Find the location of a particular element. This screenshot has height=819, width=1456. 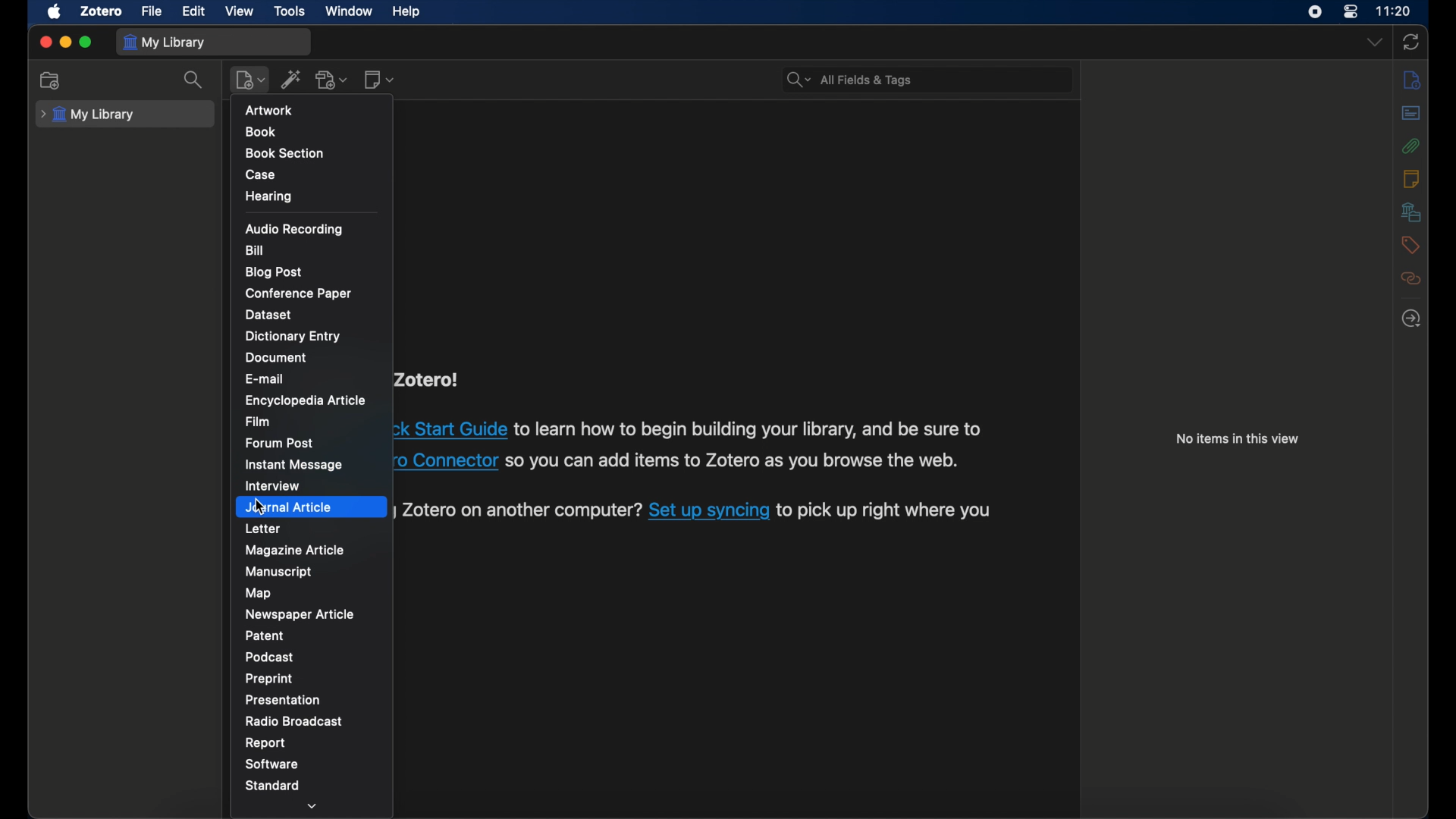

instant message is located at coordinates (293, 464).